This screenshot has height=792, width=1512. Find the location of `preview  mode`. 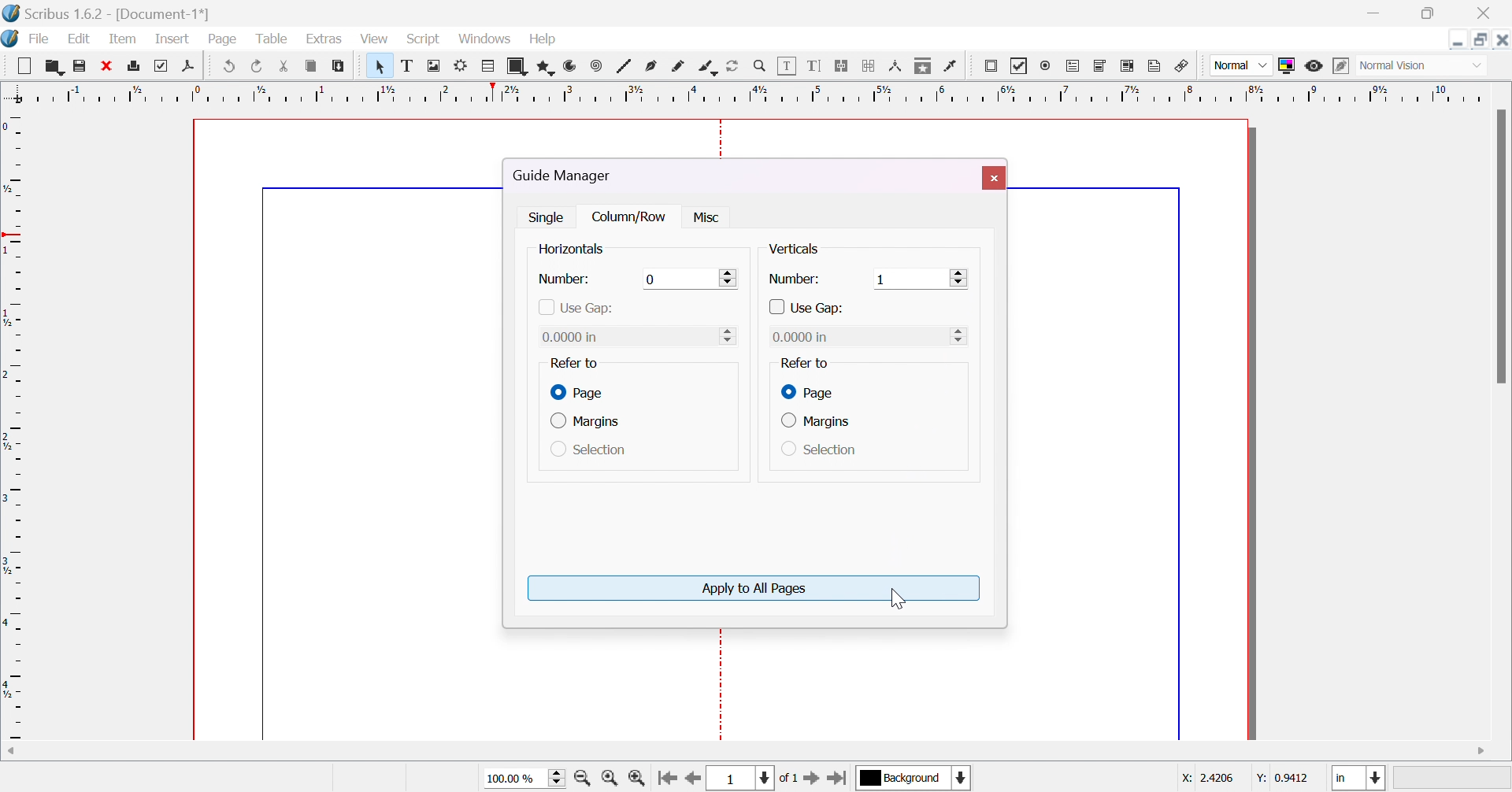

preview  mode is located at coordinates (1314, 66).